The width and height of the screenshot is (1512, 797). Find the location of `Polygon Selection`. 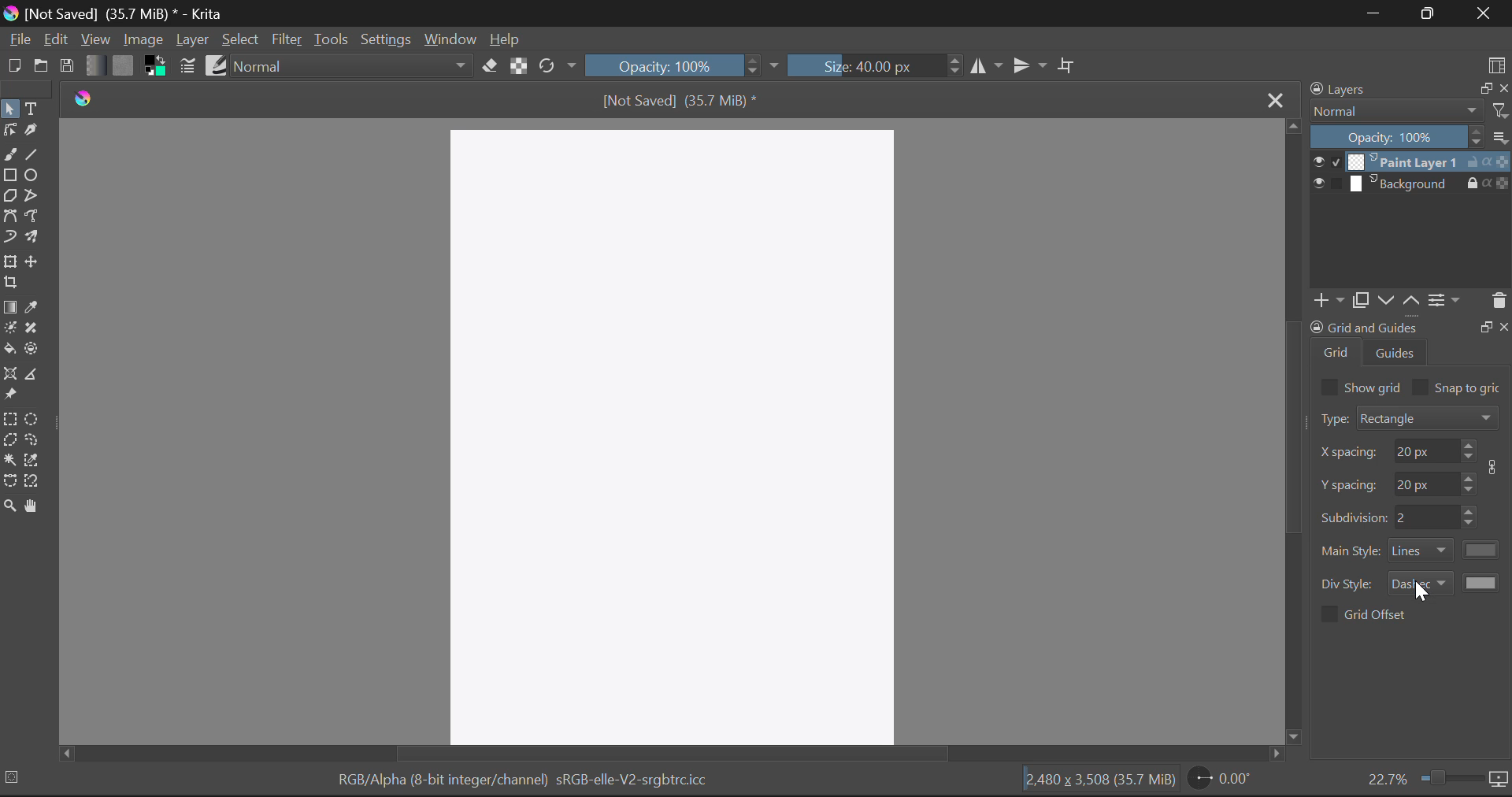

Polygon Selection is located at coordinates (9, 442).